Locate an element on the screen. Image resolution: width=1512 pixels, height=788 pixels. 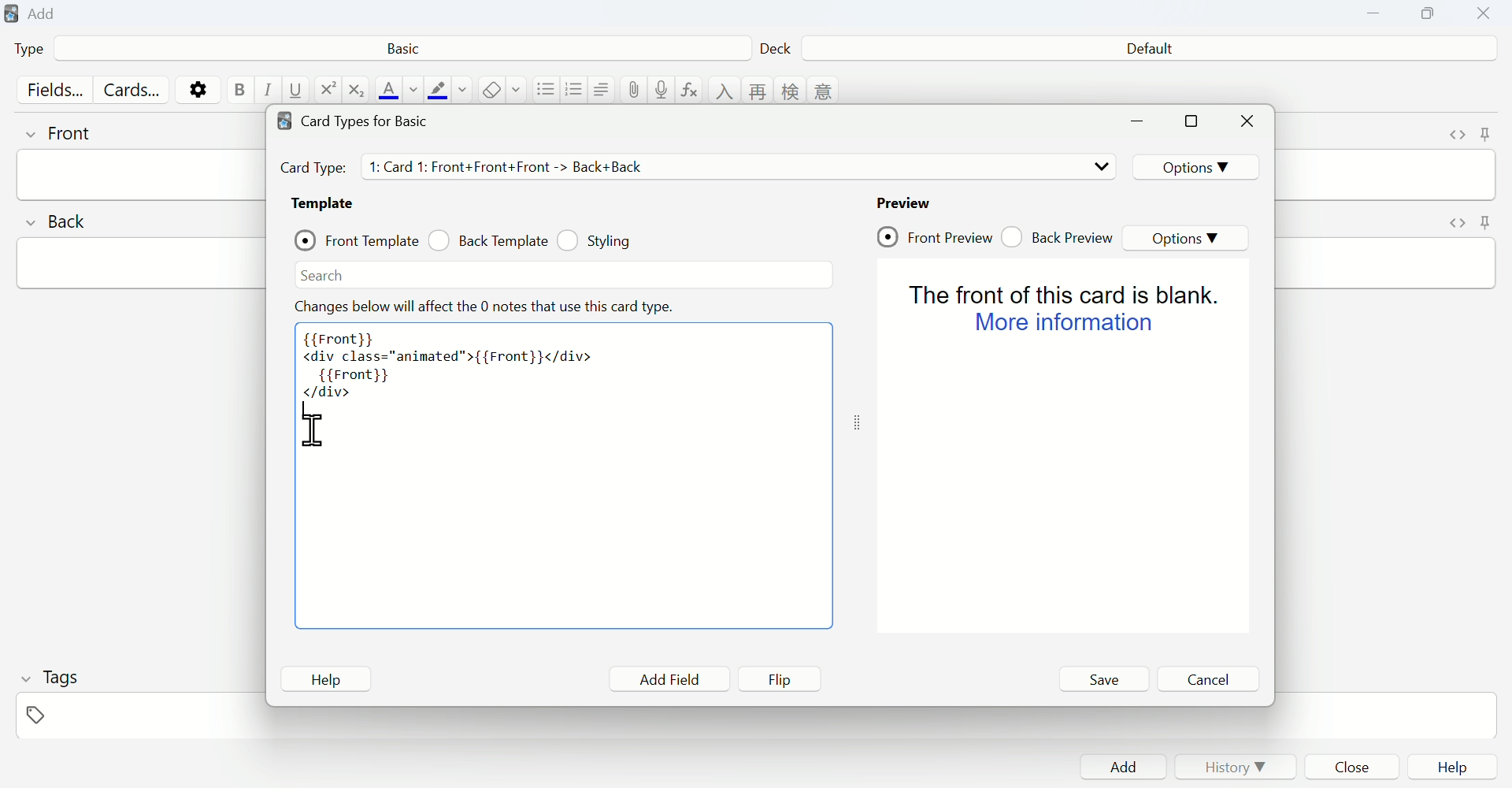
drop down is located at coordinates (1102, 168).